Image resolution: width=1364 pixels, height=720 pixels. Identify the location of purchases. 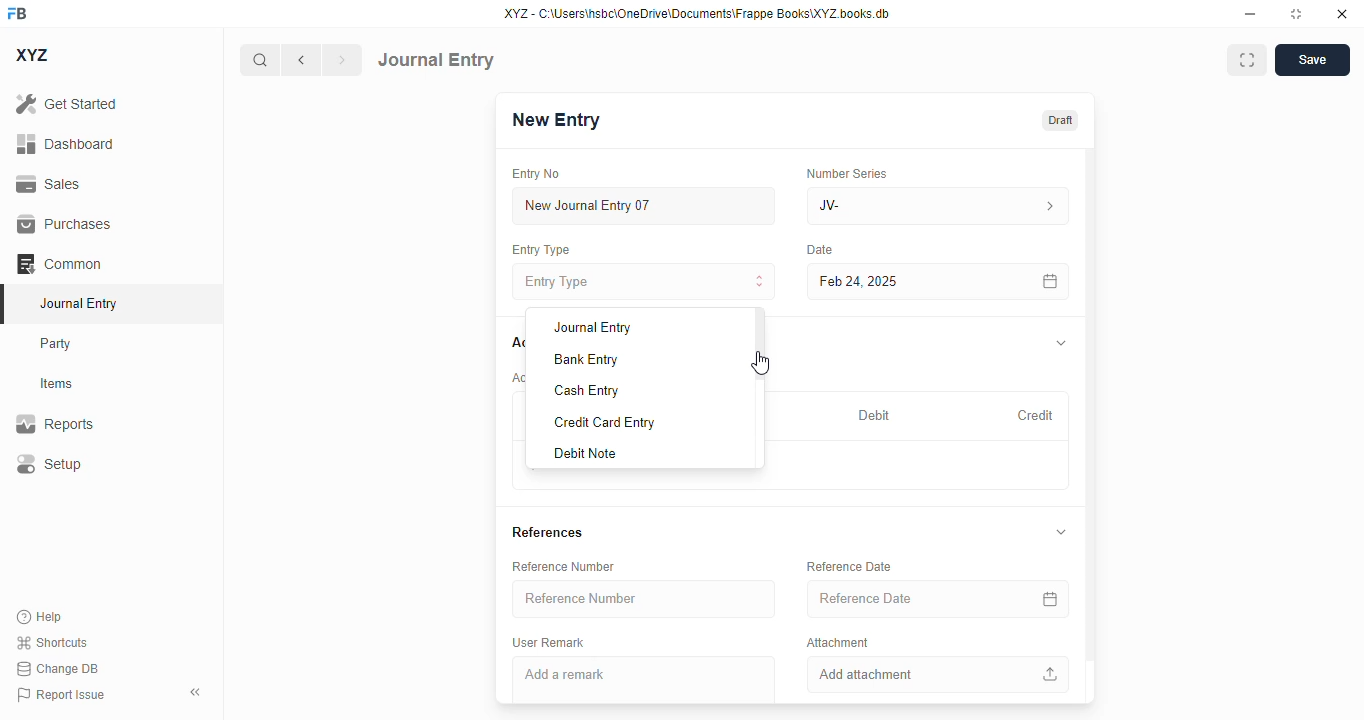
(66, 224).